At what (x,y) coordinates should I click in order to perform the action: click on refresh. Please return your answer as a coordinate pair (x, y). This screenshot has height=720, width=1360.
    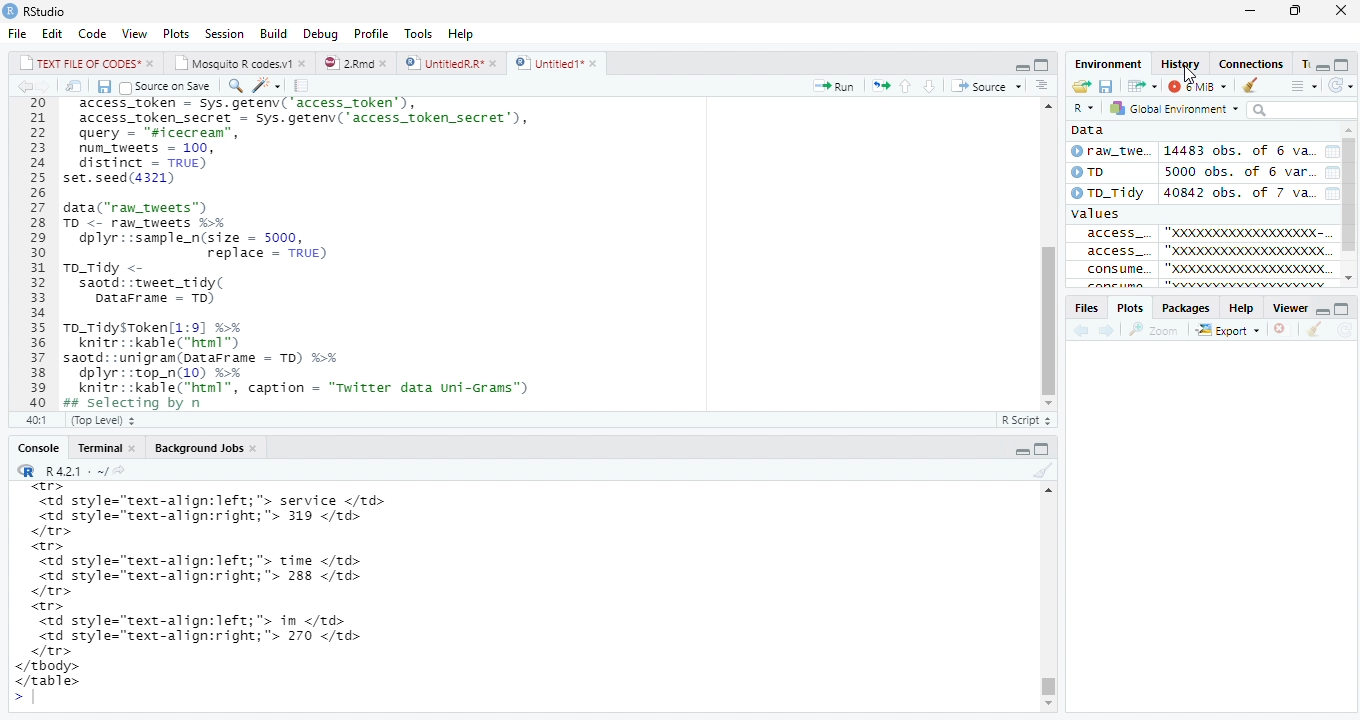
    Looking at the image, I should click on (1344, 85).